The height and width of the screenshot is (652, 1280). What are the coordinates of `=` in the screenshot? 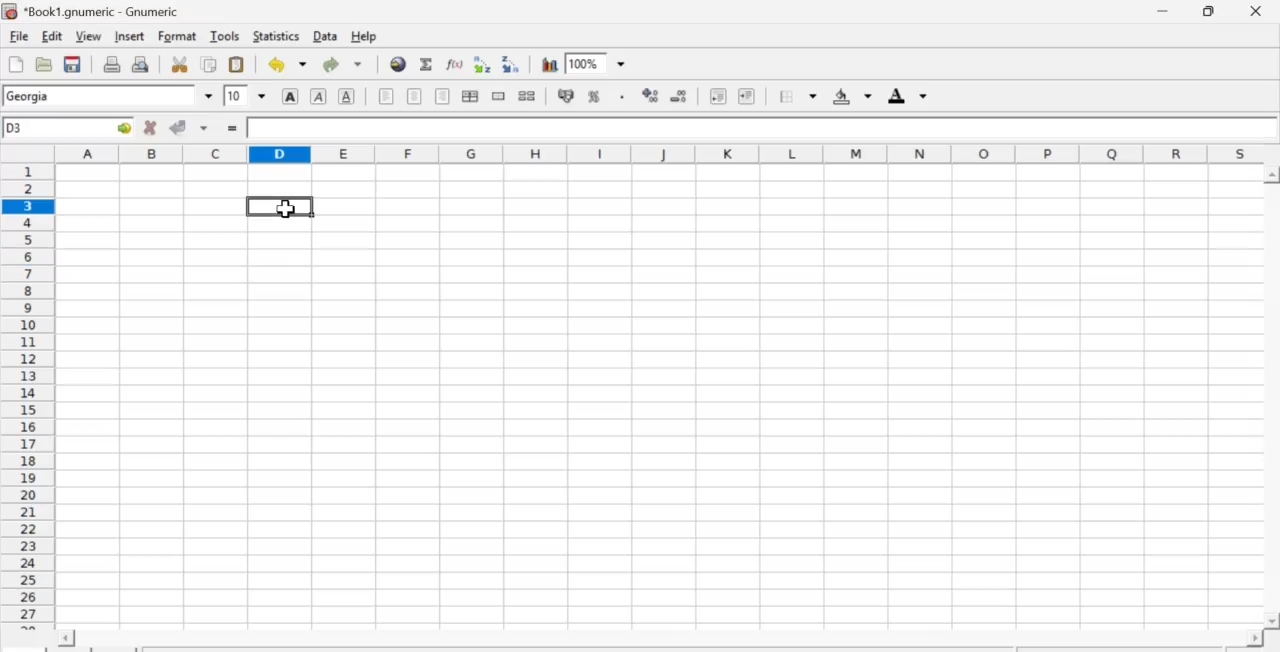 It's located at (231, 129).